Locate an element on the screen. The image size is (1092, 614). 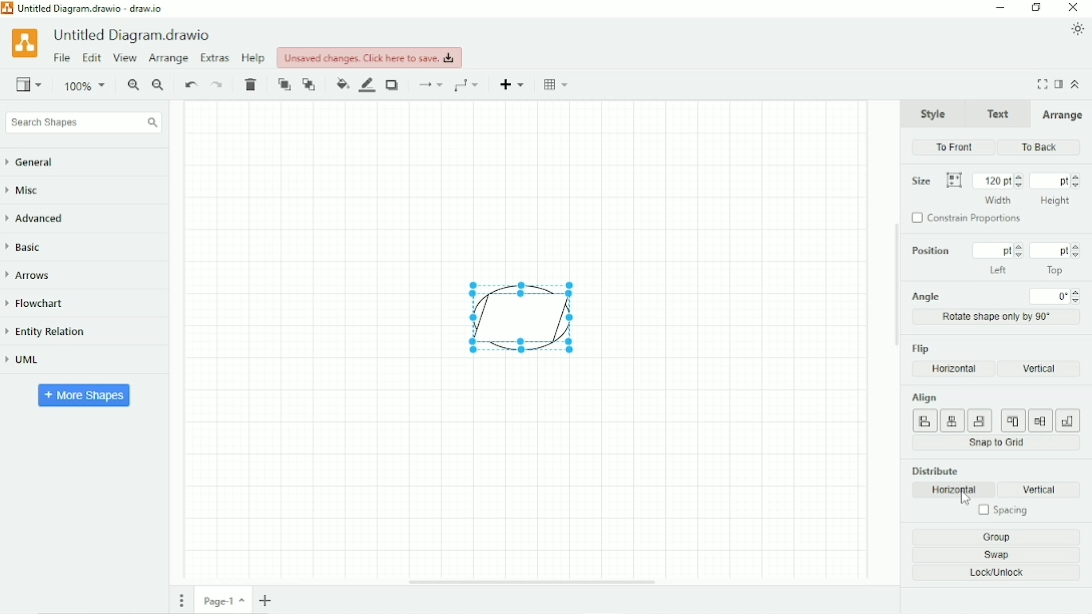
Edit is located at coordinates (91, 59).